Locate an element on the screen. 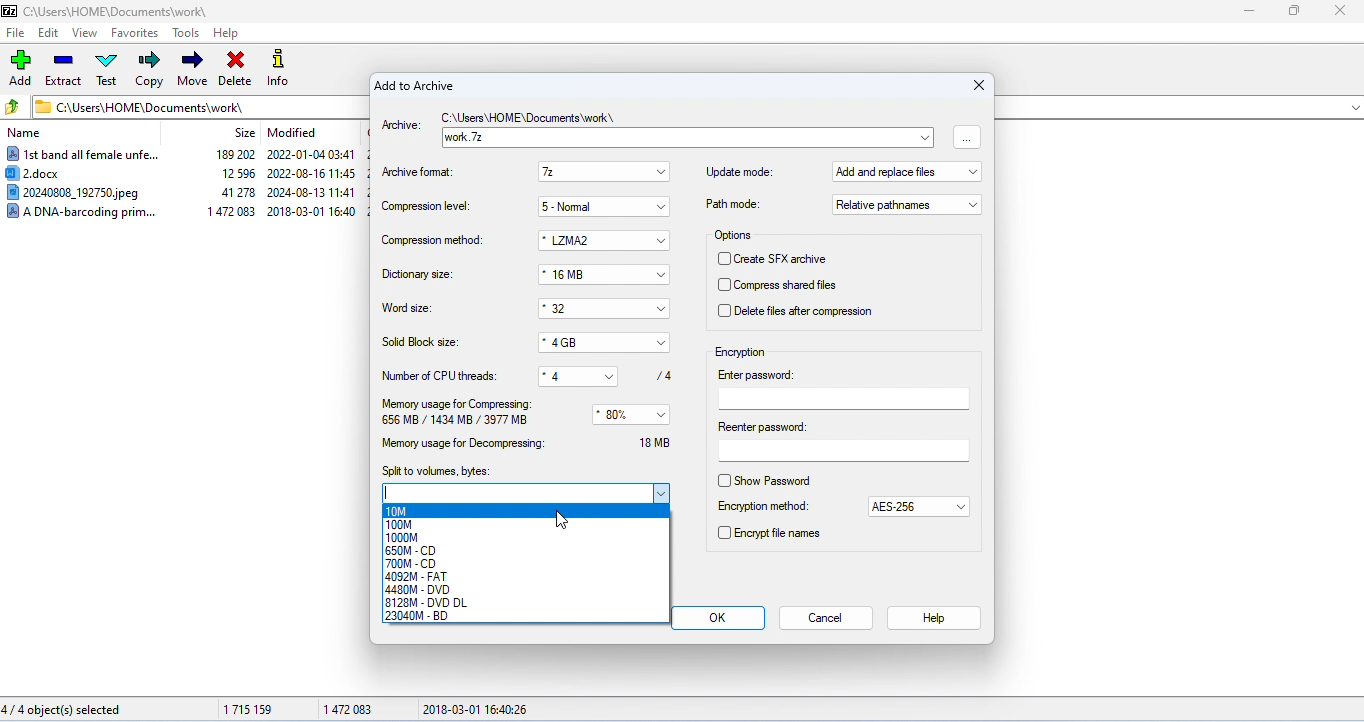  compress shared file is located at coordinates (794, 286).